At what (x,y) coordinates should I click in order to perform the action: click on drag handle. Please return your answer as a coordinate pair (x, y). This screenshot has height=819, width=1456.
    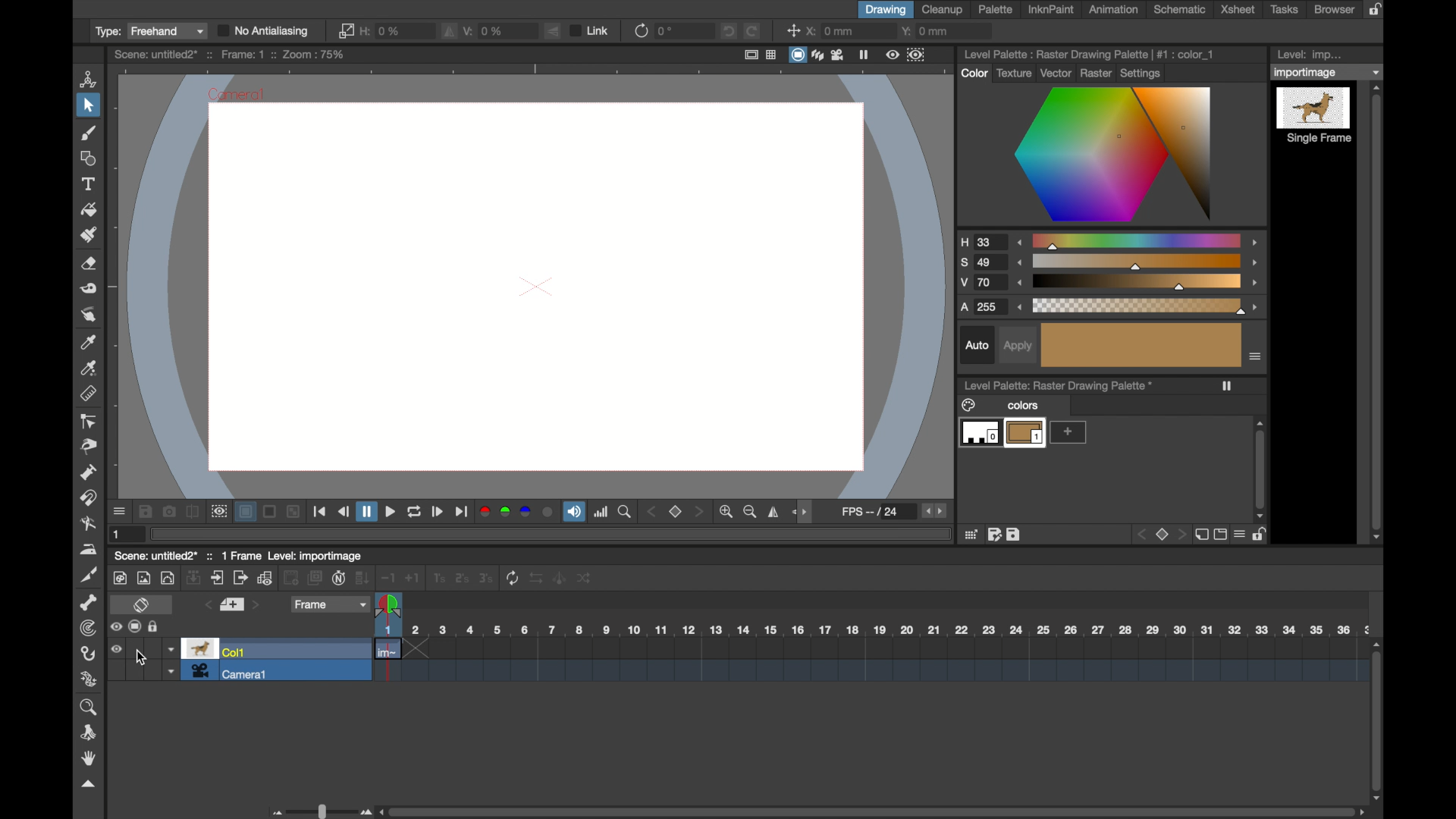
    Looking at the image, I should click on (805, 511).